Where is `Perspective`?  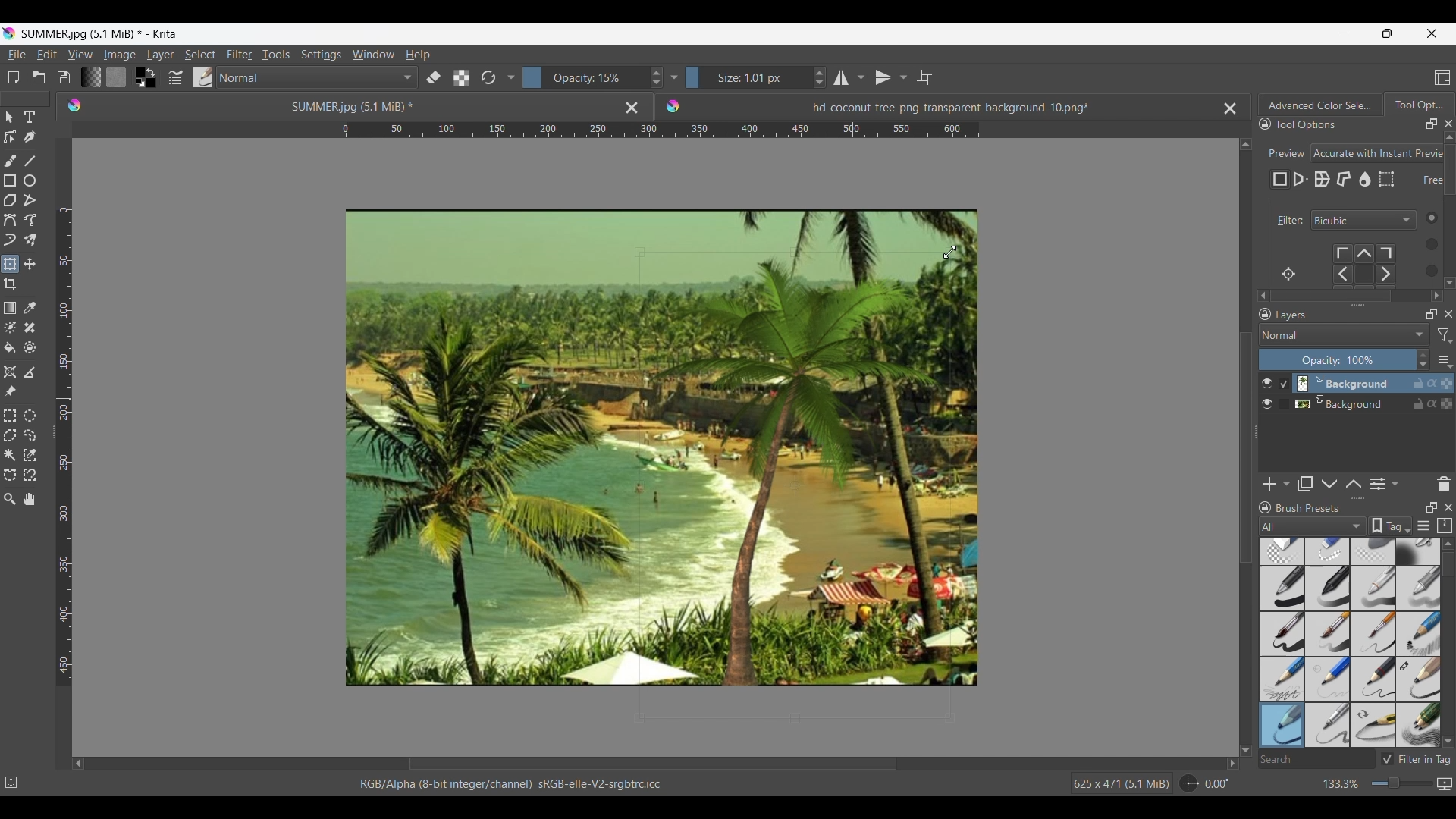 Perspective is located at coordinates (1301, 180).